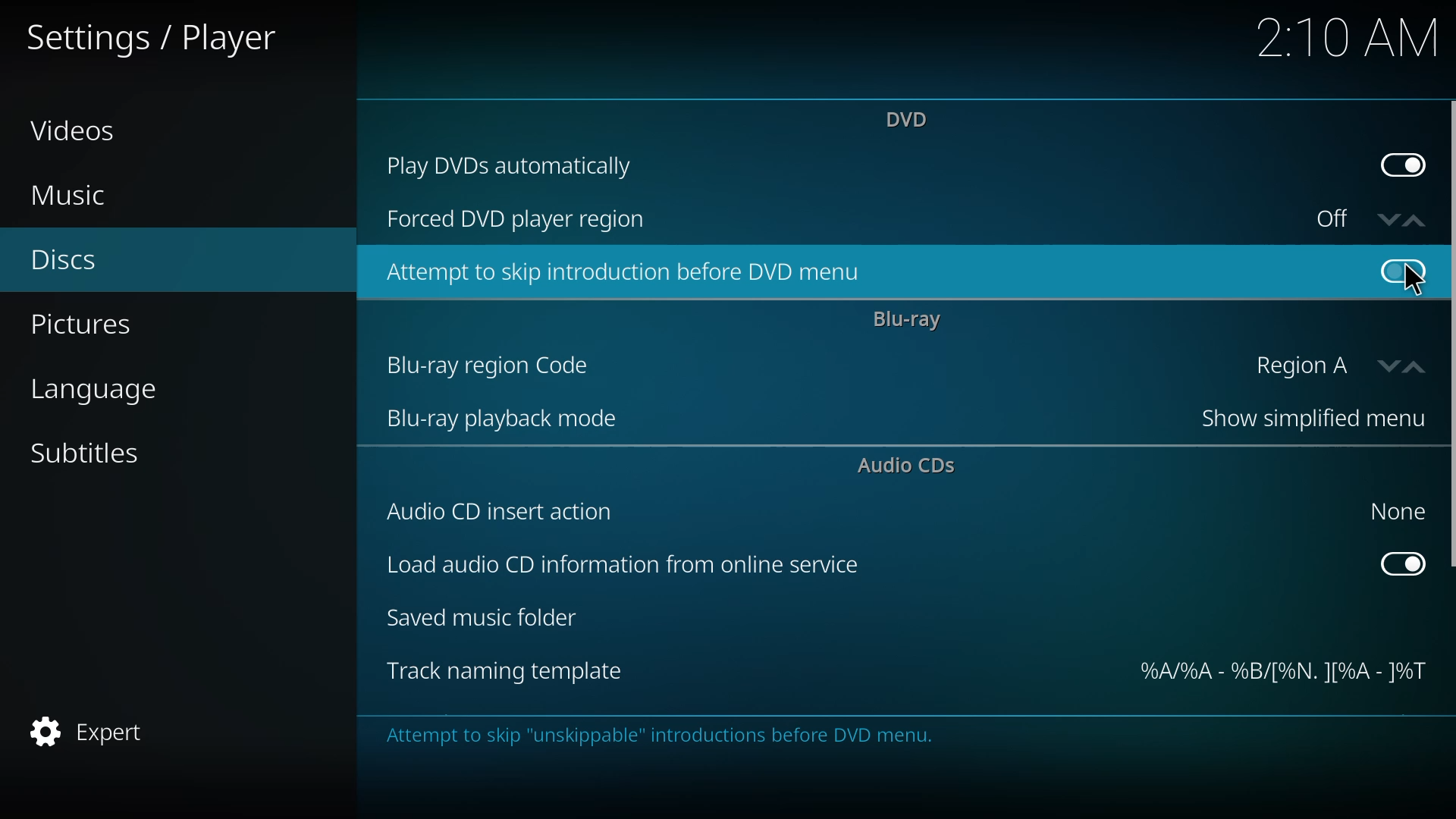 The image size is (1456, 819). What do you see at coordinates (1454, 334) in the screenshot?
I see `scroll bar` at bounding box center [1454, 334].